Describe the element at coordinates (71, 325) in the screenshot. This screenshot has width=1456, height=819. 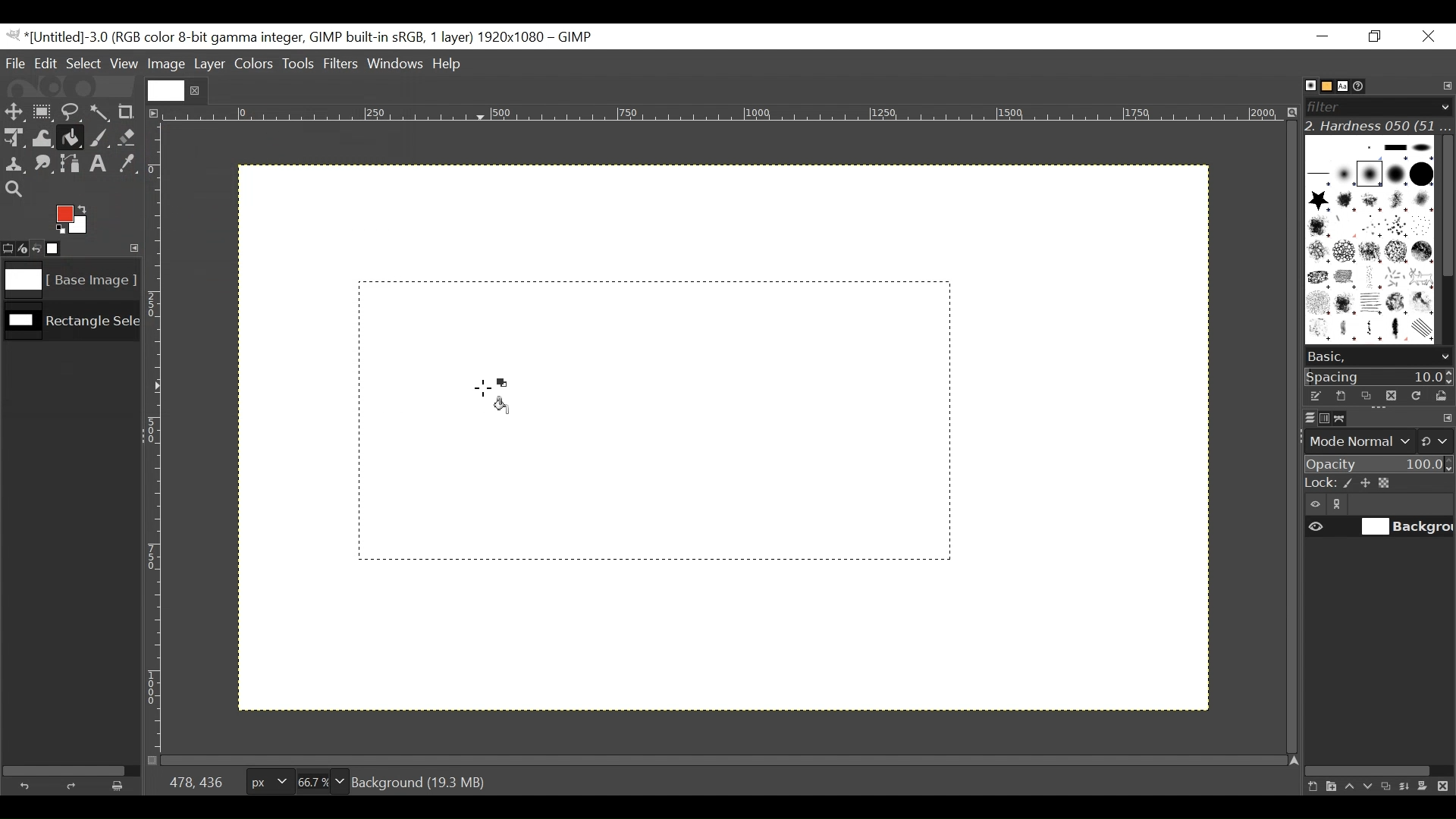
I see `Image` at that location.